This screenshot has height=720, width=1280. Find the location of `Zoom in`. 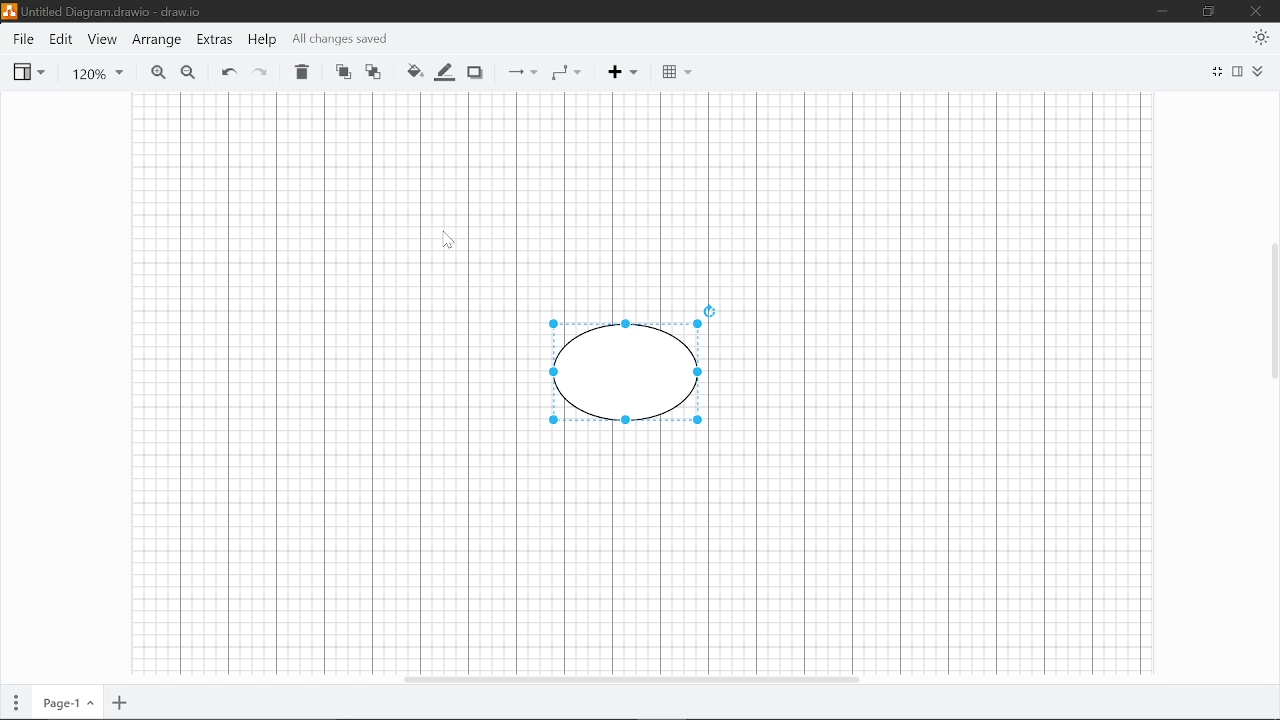

Zoom in is located at coordinates (153, 72).